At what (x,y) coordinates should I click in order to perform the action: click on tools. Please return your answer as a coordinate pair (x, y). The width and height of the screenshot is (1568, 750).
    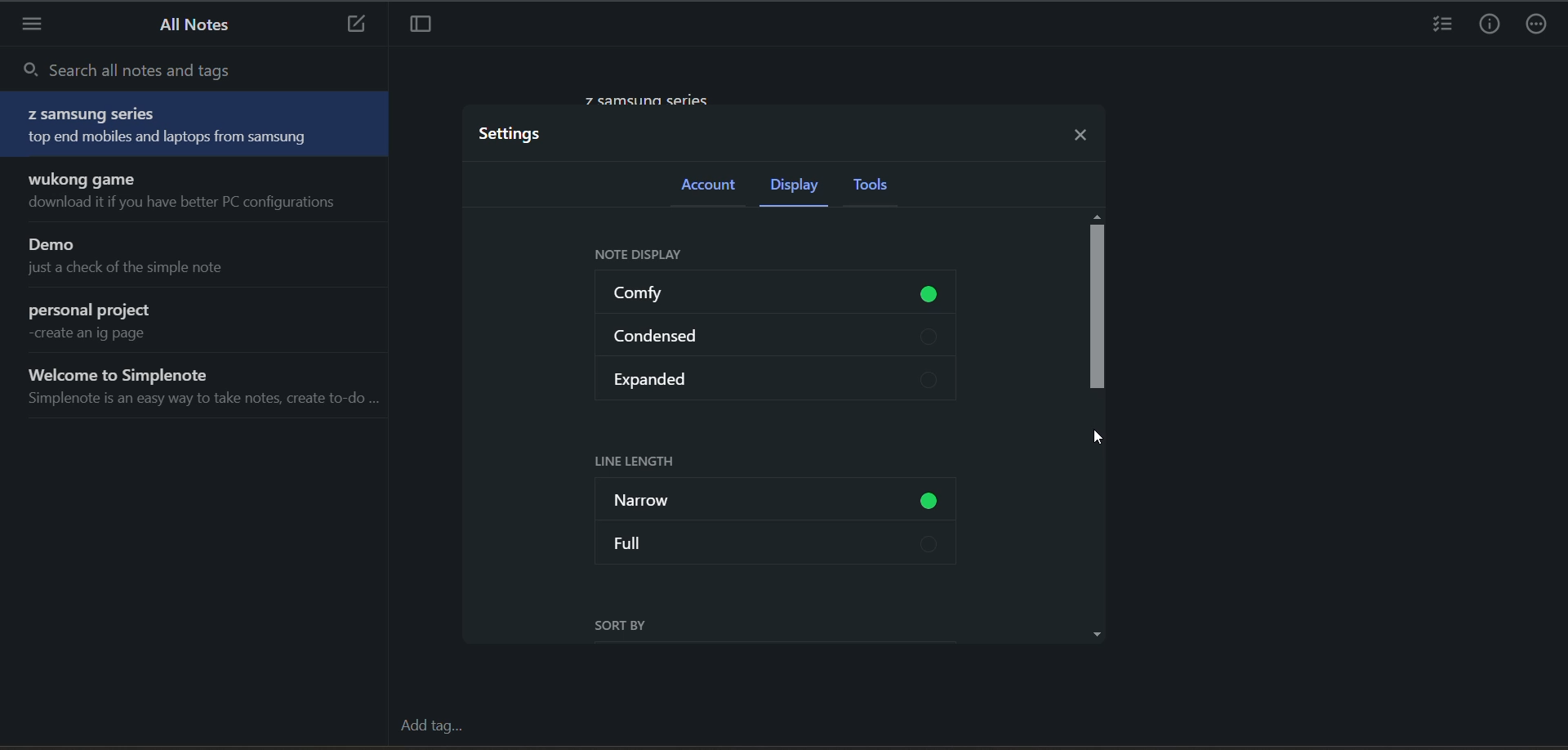
    Looking at the image, I should click on (883, 186).